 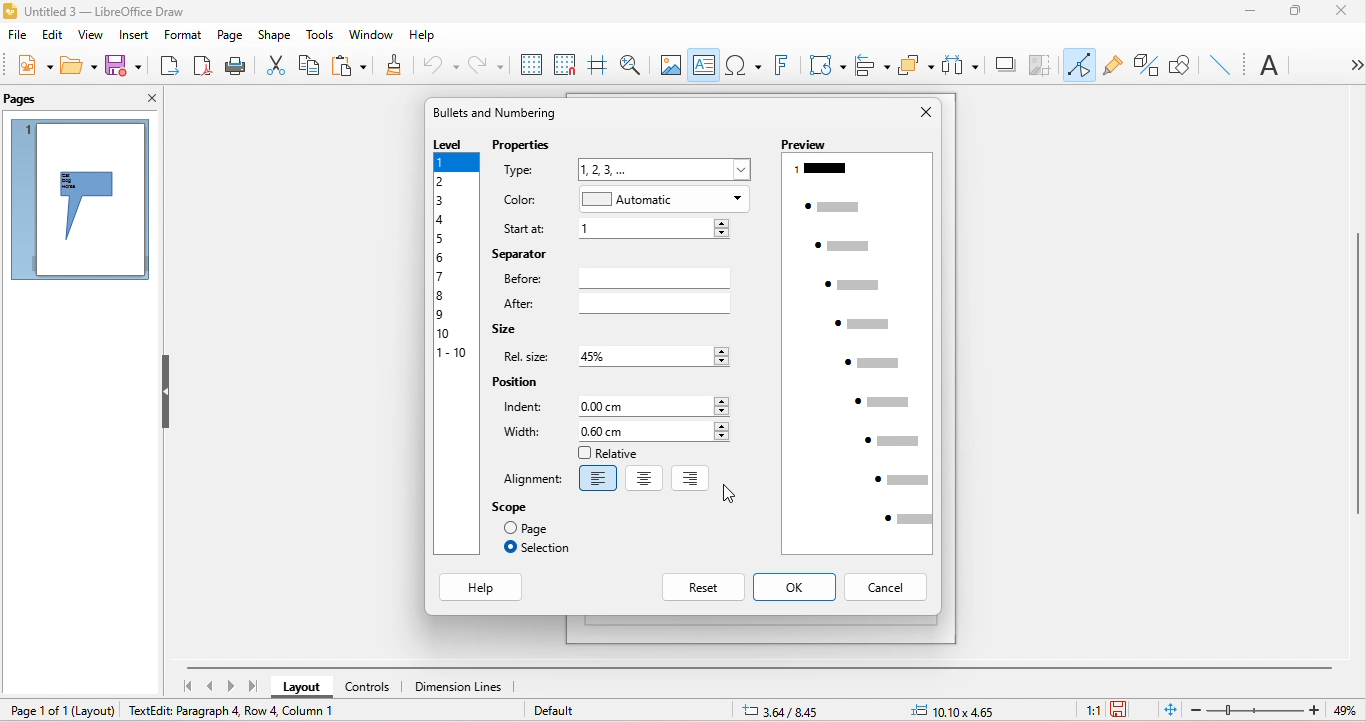 What do you see at coordinates (76, 199) in the screenshot?
I see `page 1` at bounding box center [76, 199].